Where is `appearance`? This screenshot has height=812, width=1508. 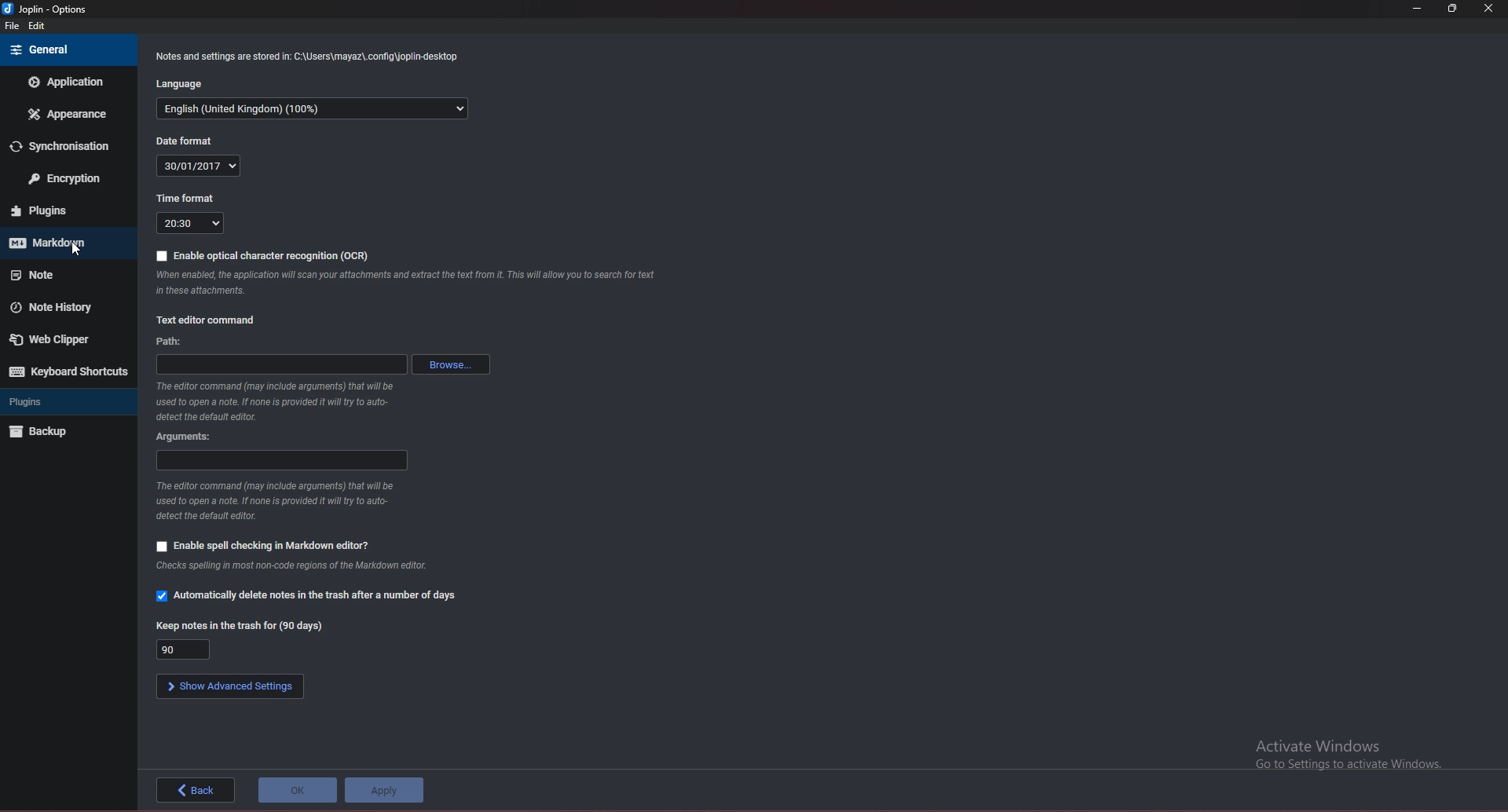 appearance is located at coordinates (68, 113).